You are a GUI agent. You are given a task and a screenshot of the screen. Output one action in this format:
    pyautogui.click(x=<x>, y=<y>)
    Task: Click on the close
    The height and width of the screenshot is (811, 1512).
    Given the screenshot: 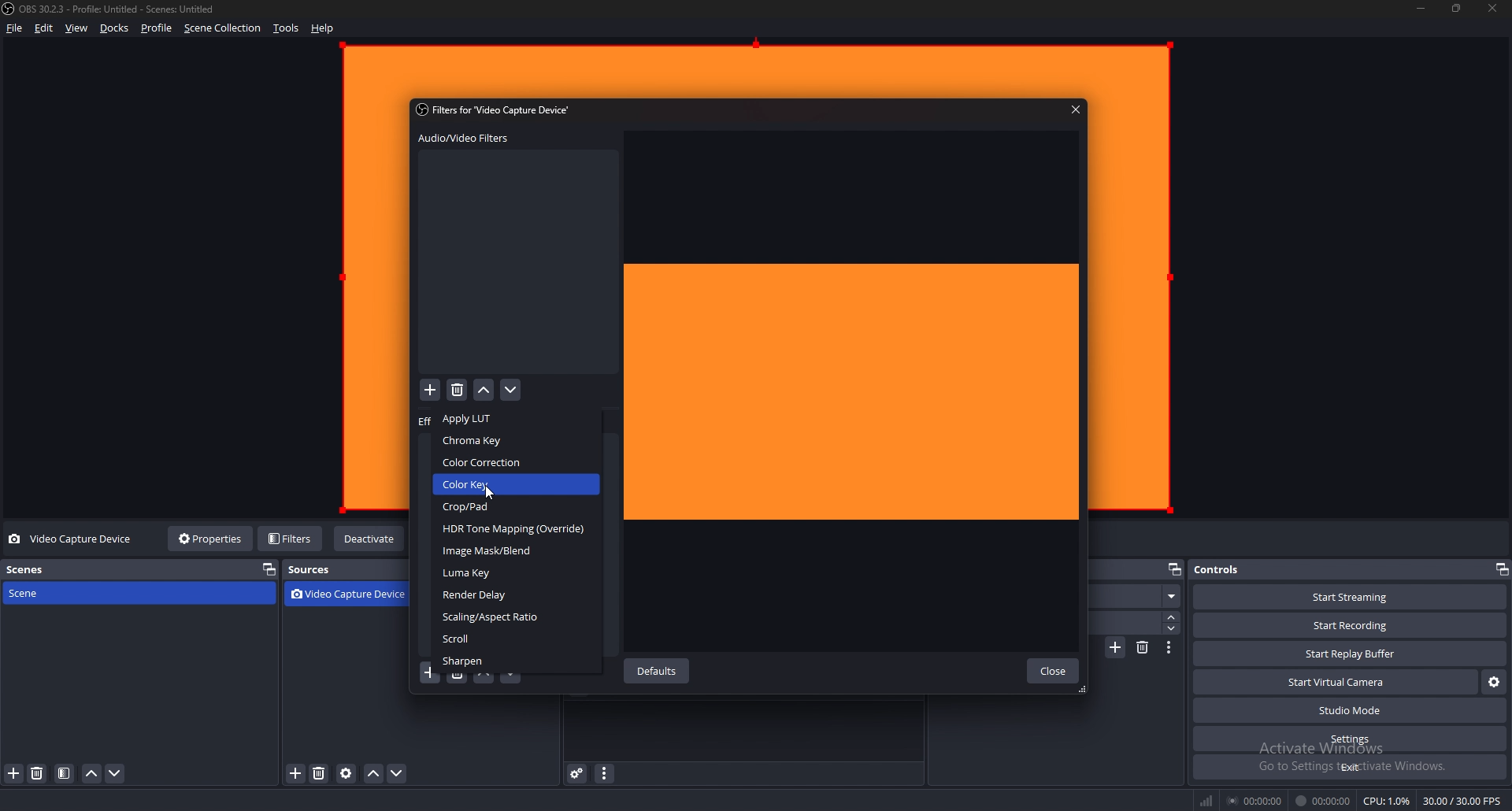 What is the action you would take?
    pyautogui.click(x=1494, y=9)
    